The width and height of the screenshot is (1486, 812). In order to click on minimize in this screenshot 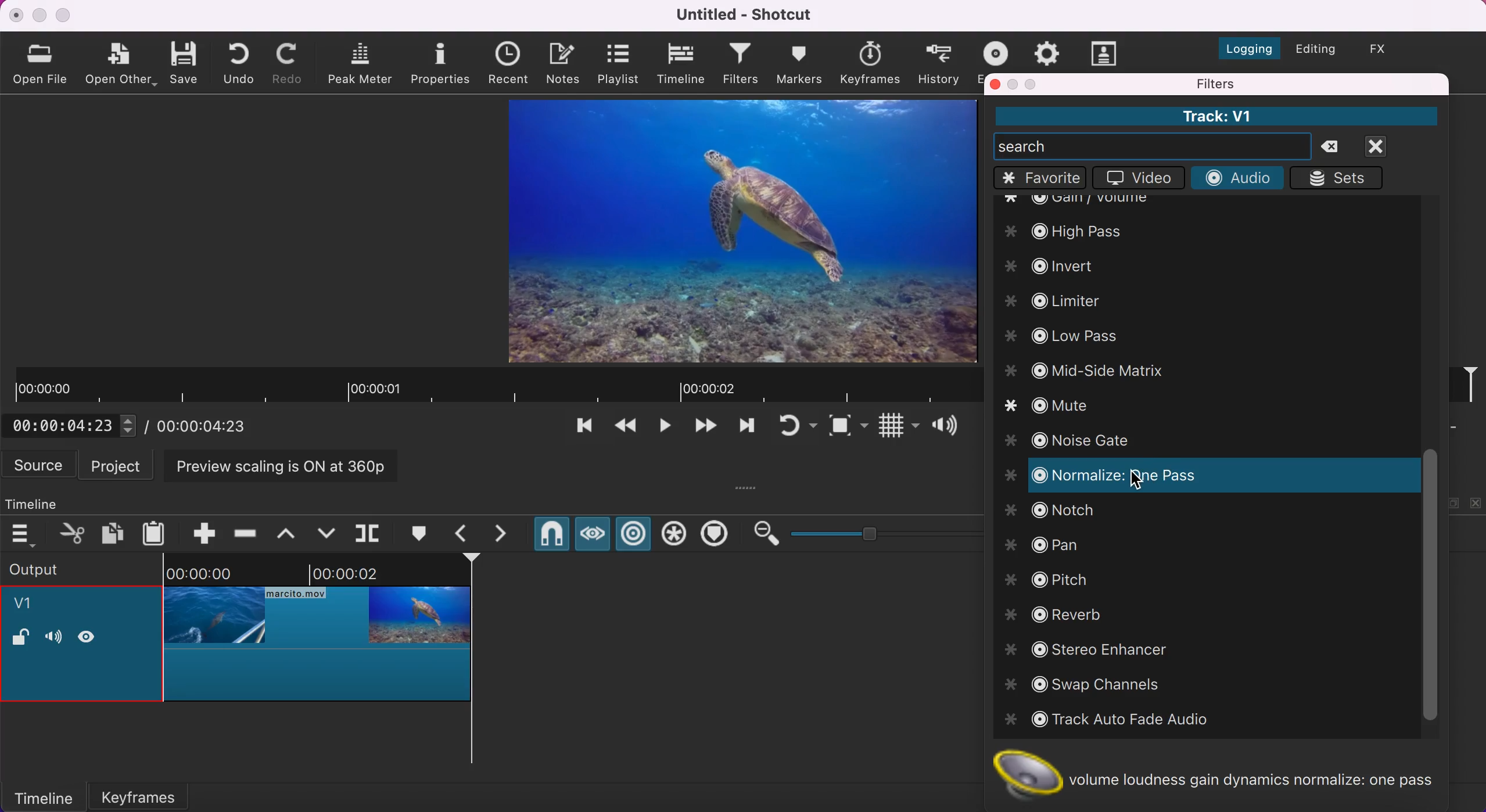, I will do `click(39, 15)`.